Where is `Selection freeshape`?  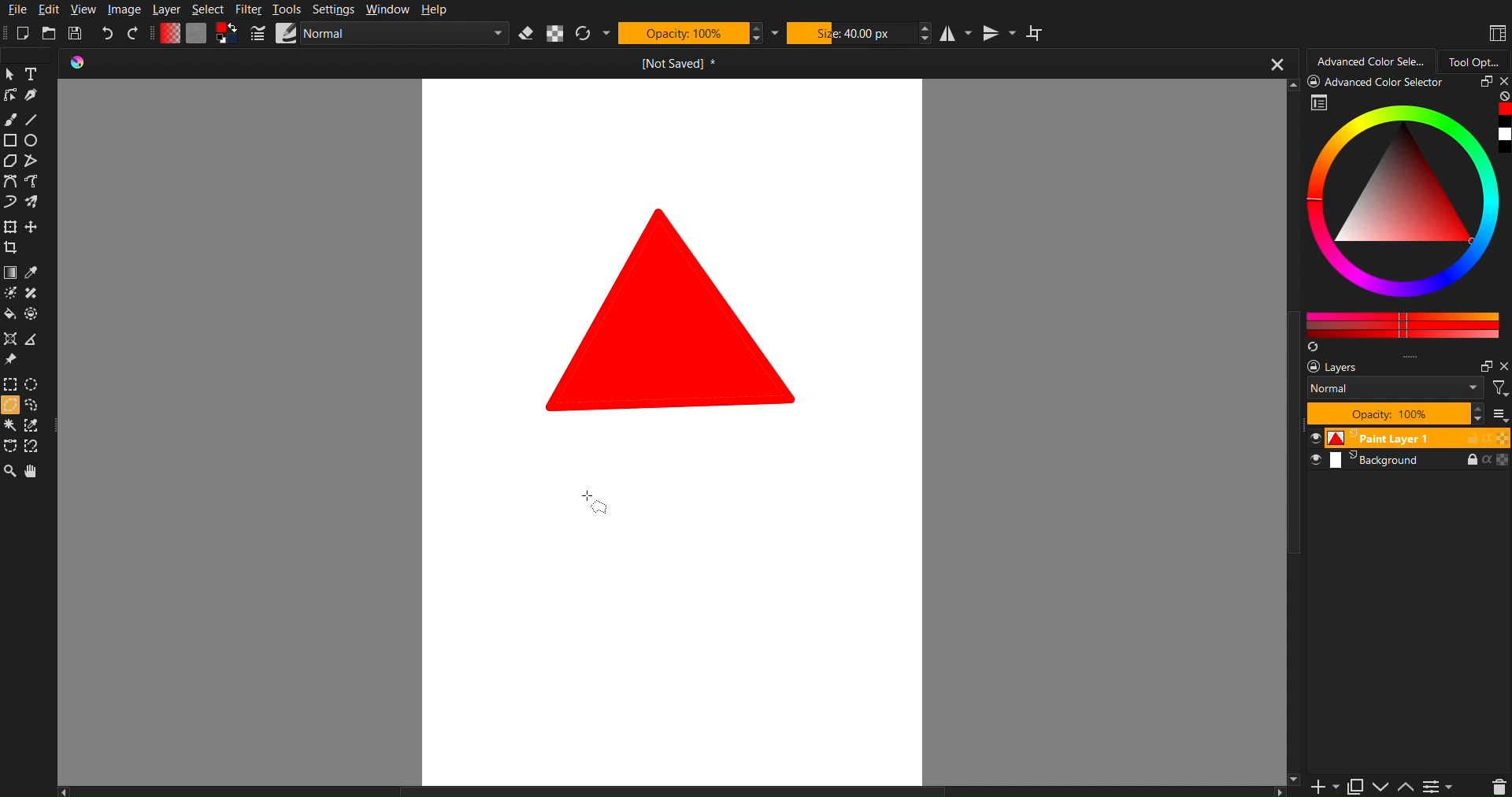
Selection freeshape is located at coordinates (36, 406).